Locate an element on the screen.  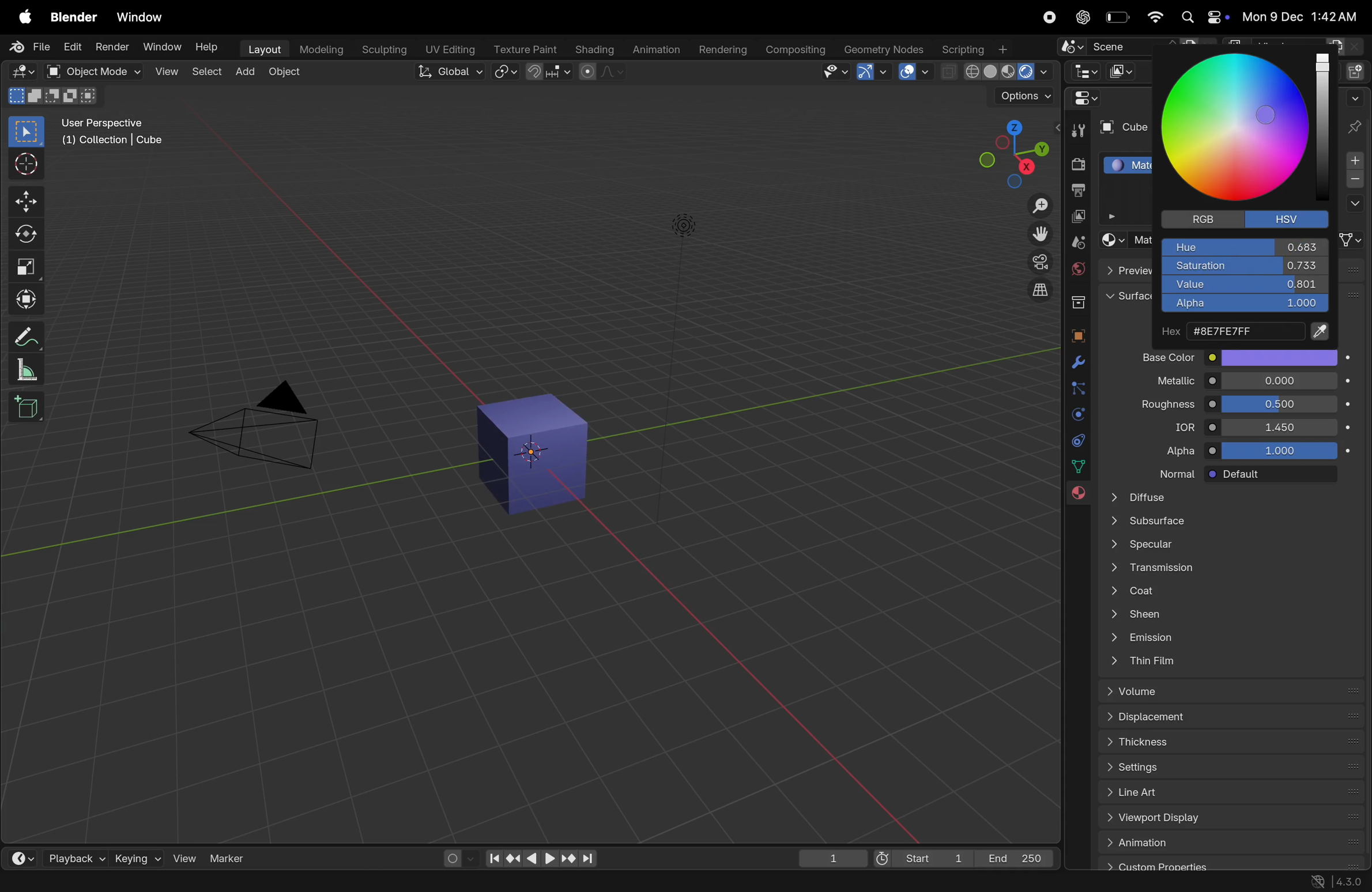
add materail slor is located at coordinates (1355, 161).